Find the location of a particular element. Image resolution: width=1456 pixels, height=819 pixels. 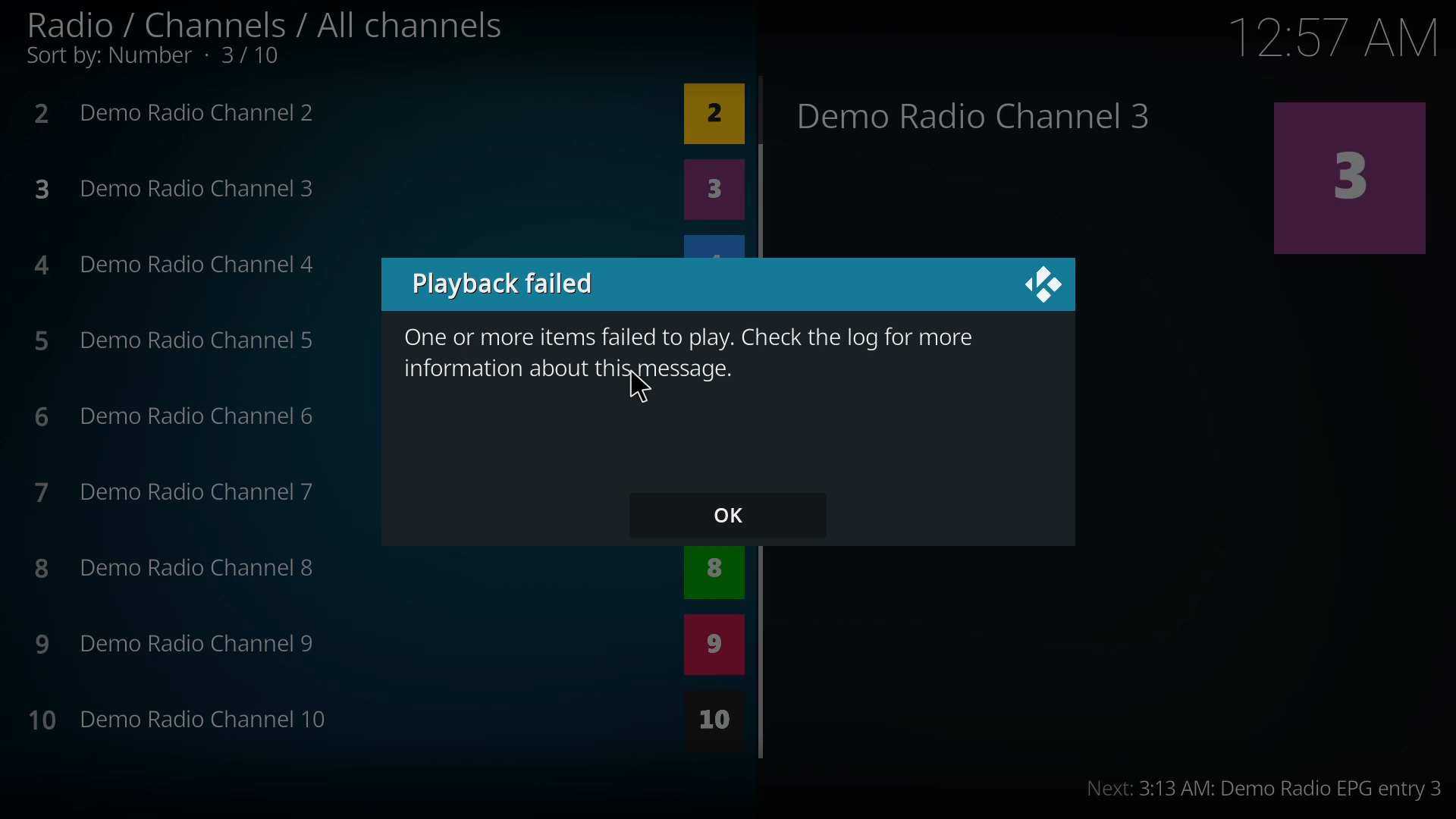

9 is located at coordinates (711, 646).